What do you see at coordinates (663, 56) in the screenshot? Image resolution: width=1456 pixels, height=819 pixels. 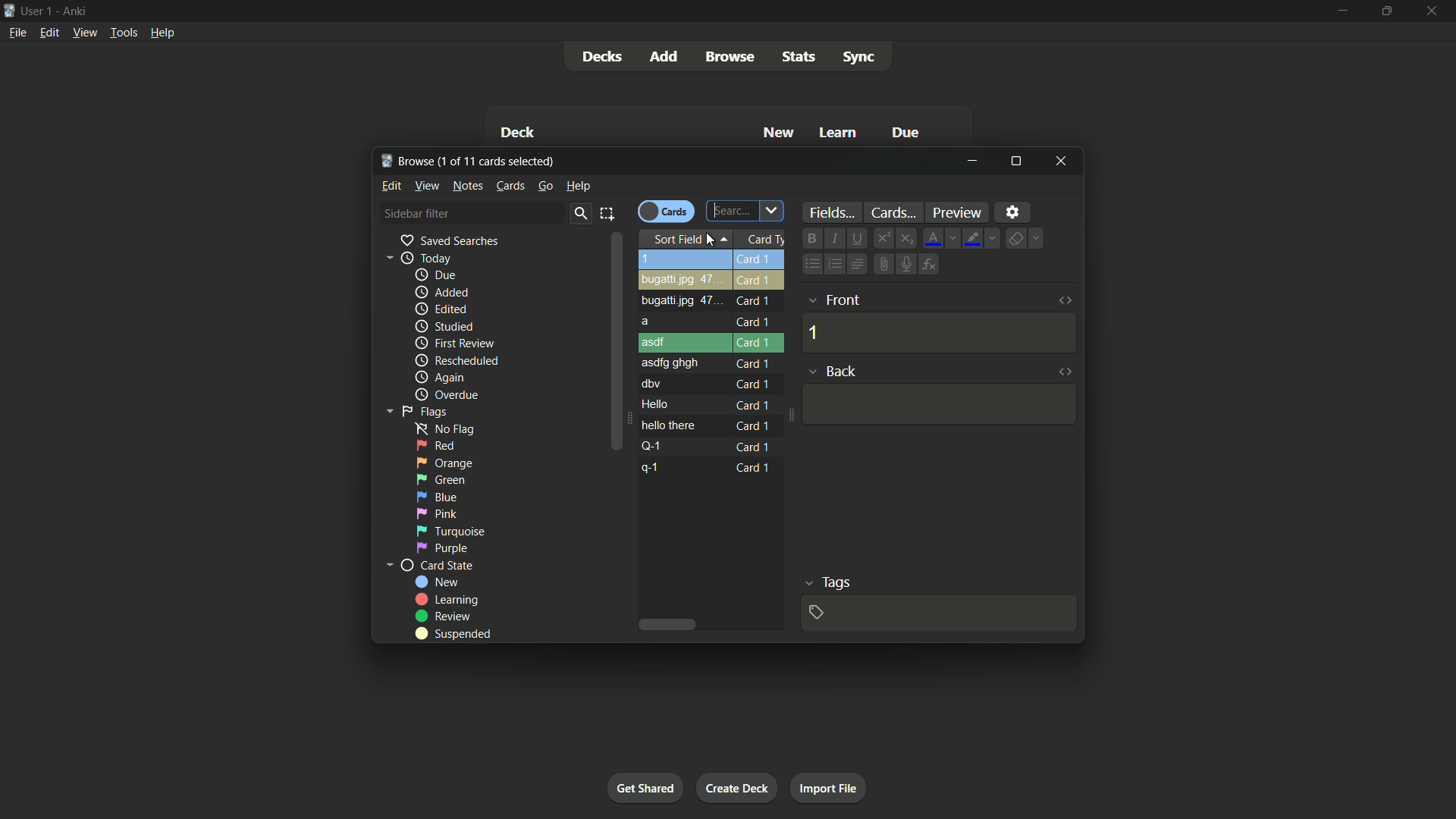 I see `add` at bounding box center [663, 56].